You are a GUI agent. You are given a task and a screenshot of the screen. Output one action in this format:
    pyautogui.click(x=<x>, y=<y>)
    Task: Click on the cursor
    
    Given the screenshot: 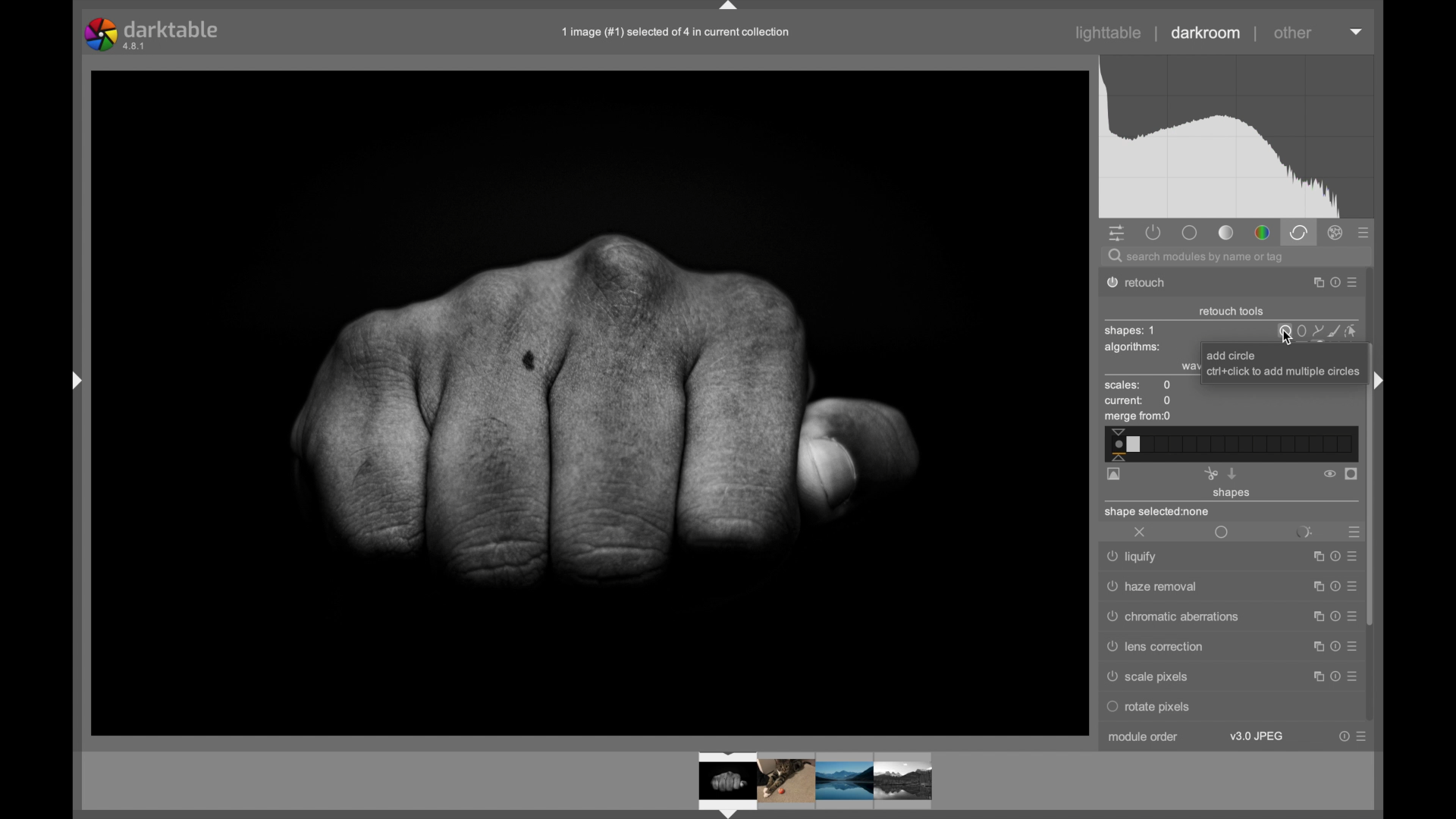 What is the action you would take?
    pyautogui.click(x=1291, y=339)
    